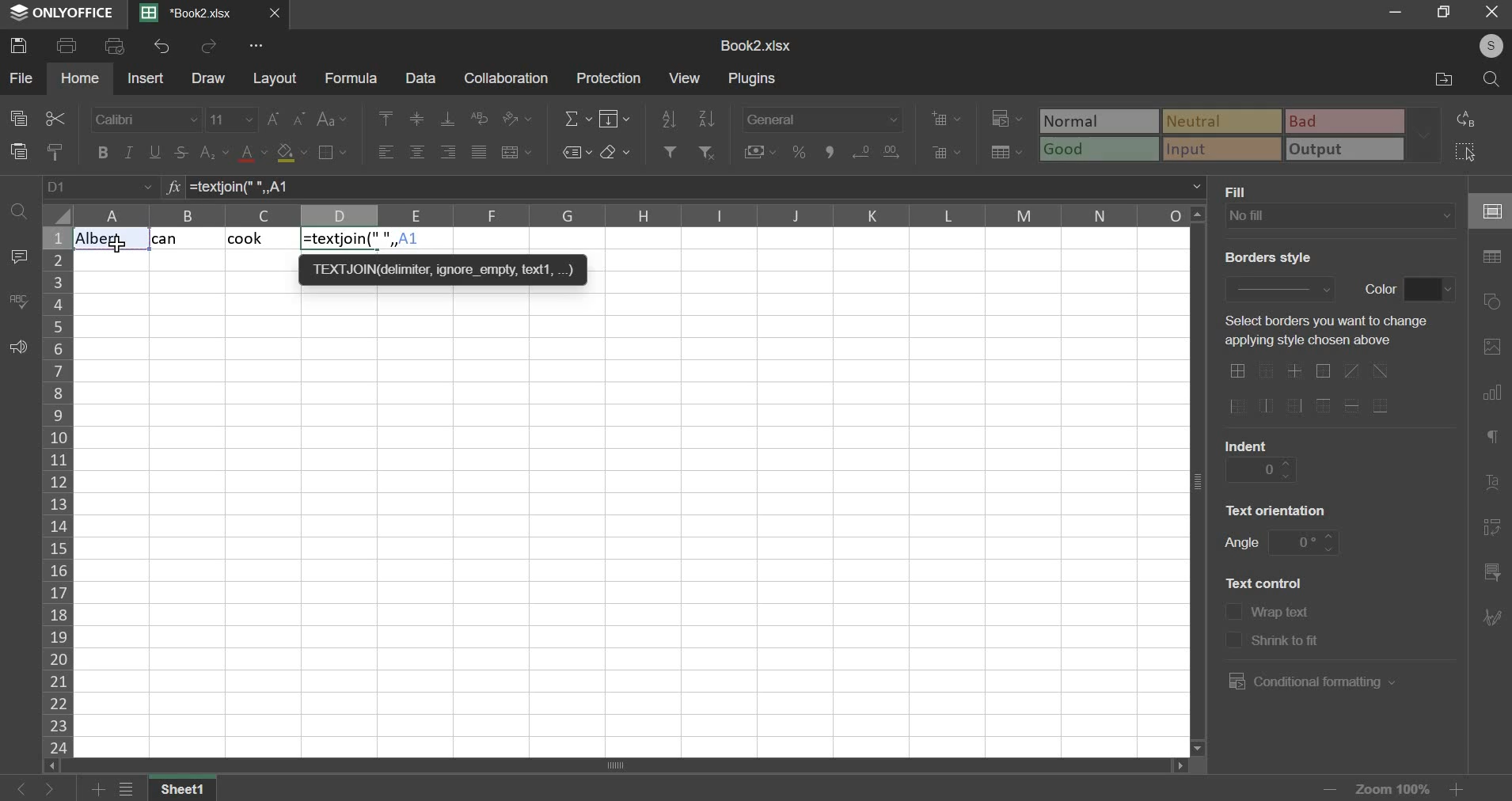 Image resolution: width=1512 pixels, height=801 pixels. What do you see at coordinates (211, 47) in the screenshot?
I see `redo` at bounding box center [211, 47].